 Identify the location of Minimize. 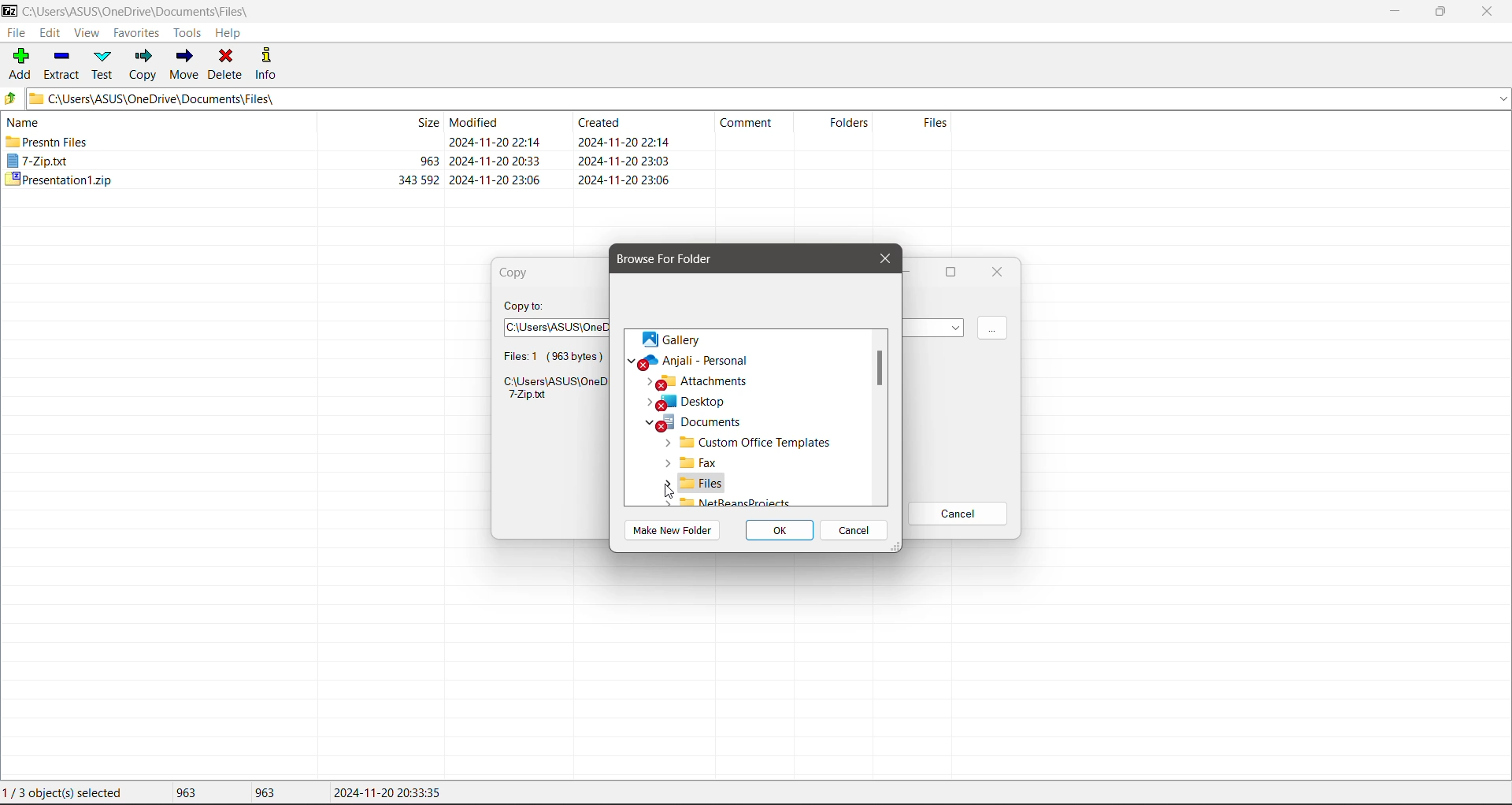
(1393, 11).